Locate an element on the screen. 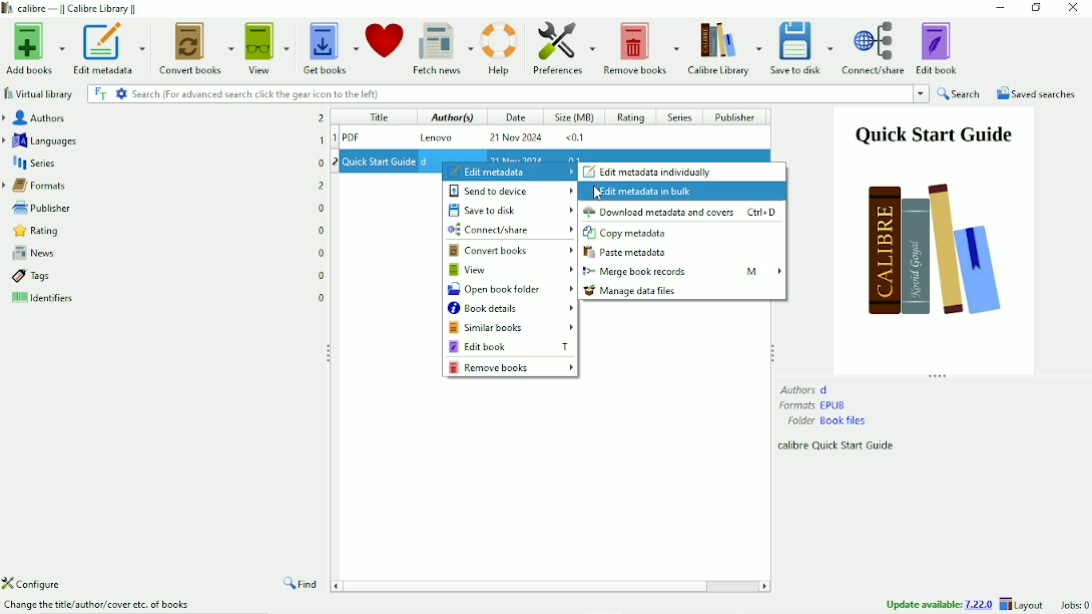 The height and width of the screenshot is (614, 1092). Merge book records is located at coordinates (682, 271).